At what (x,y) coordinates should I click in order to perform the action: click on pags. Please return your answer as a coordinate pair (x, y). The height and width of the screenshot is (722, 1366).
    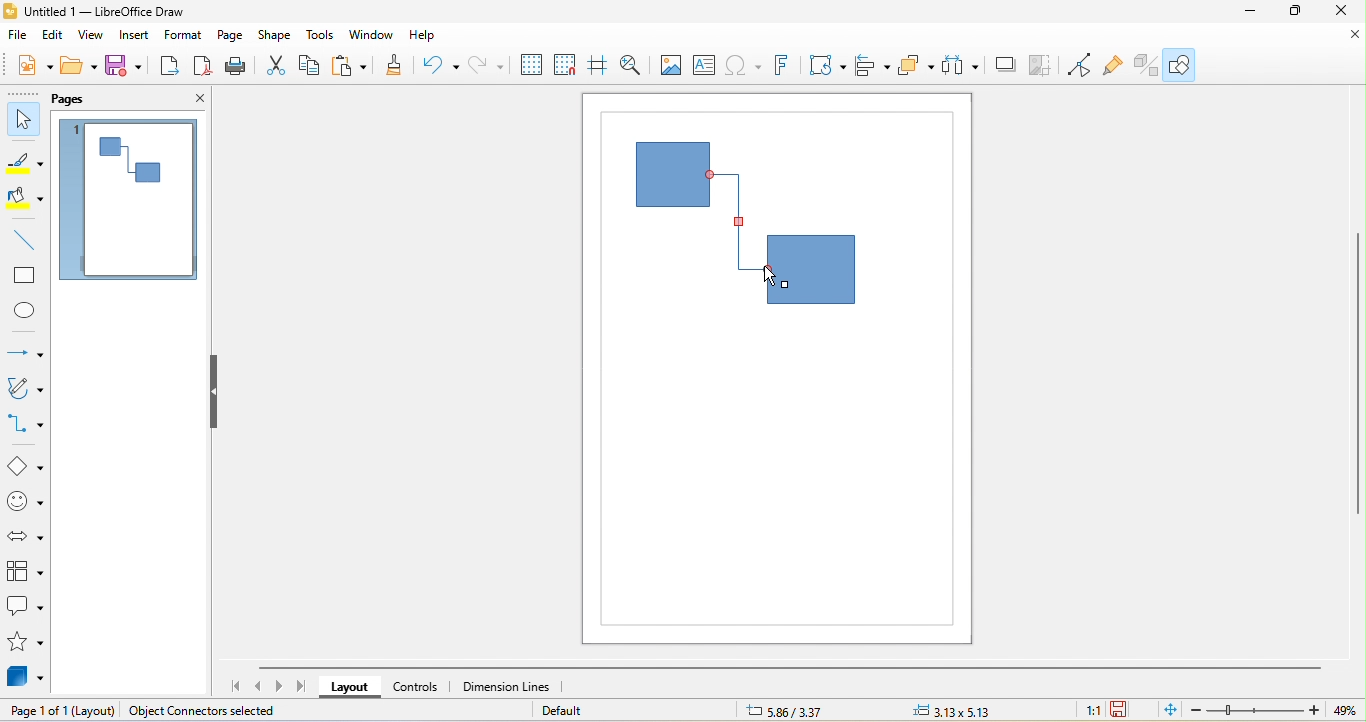
    Looking at the image, I should click on (80, 101).